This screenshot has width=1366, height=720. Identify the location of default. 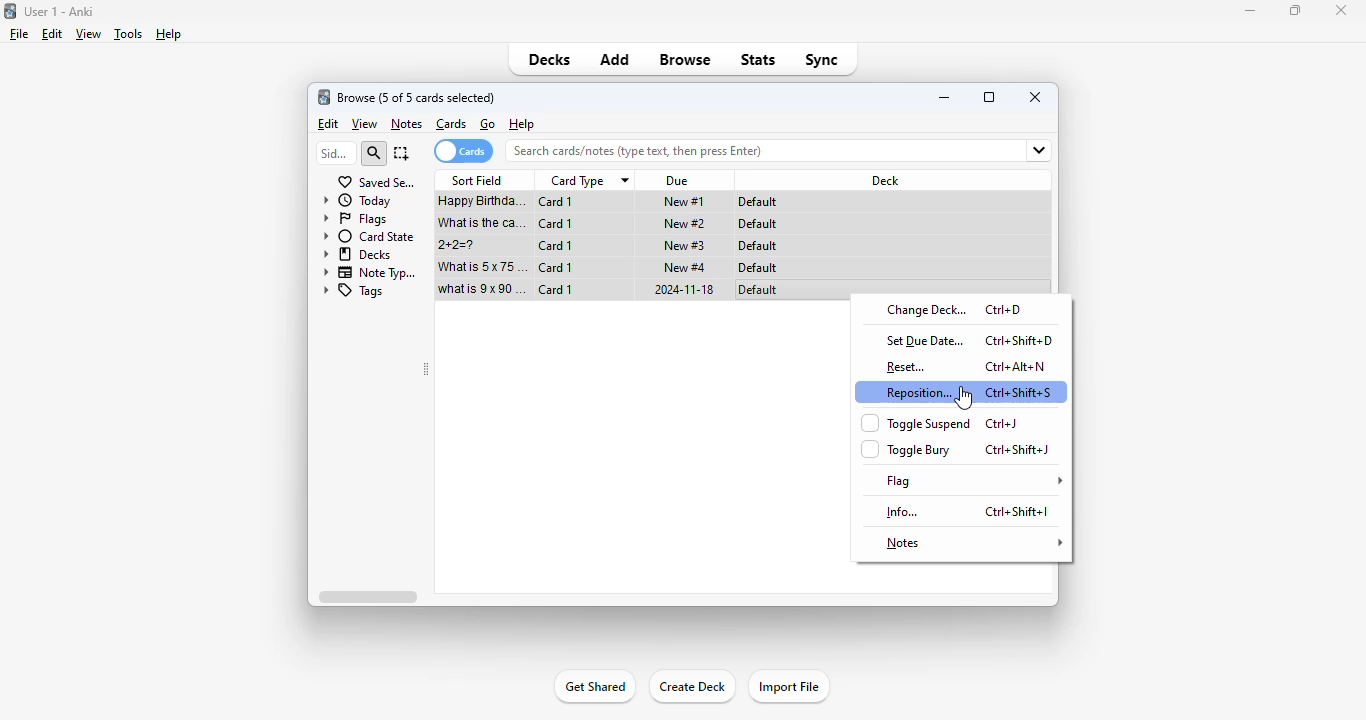
(758, 268).